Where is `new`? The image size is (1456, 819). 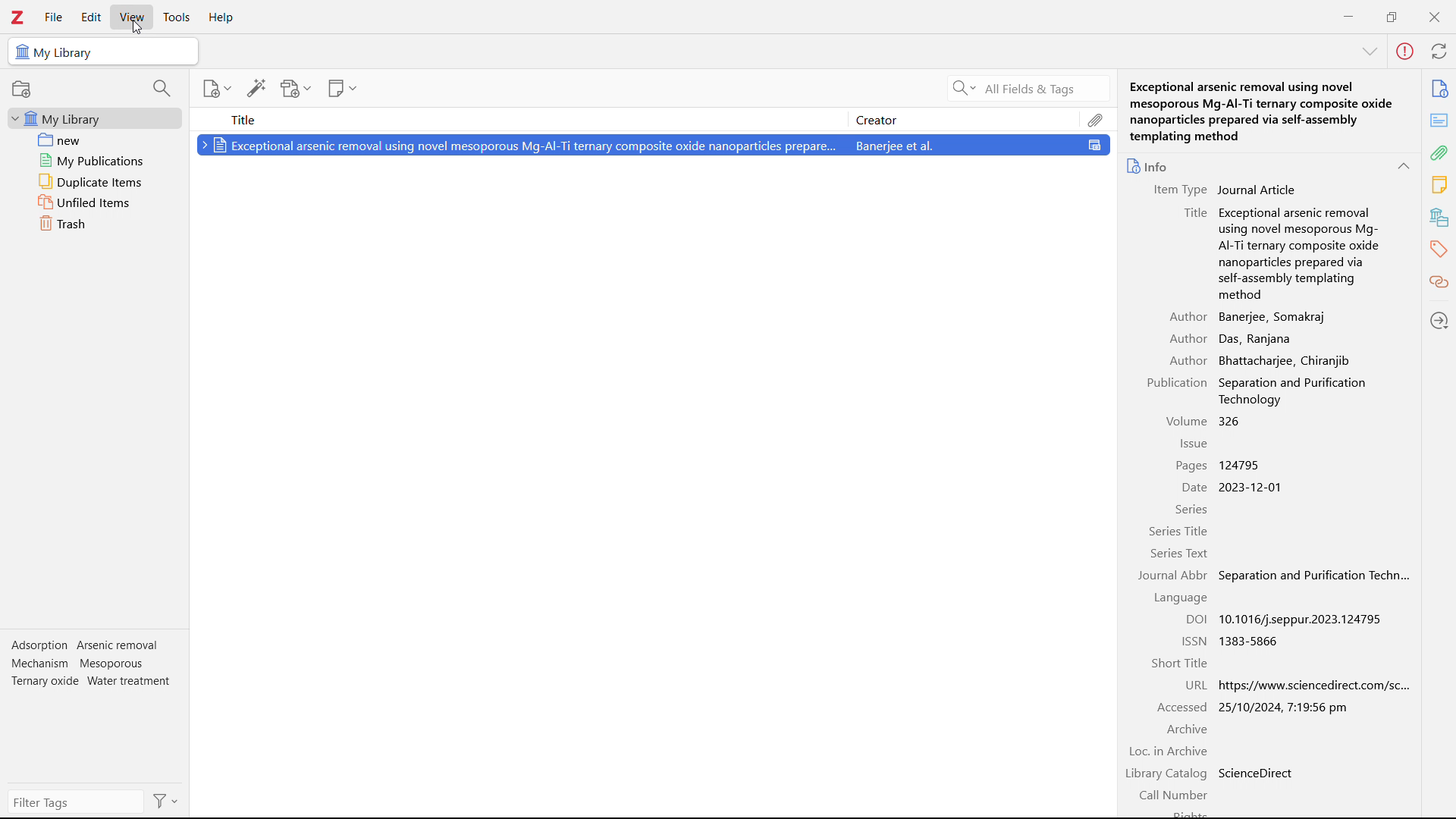
new is located at coordinates (94, 140).